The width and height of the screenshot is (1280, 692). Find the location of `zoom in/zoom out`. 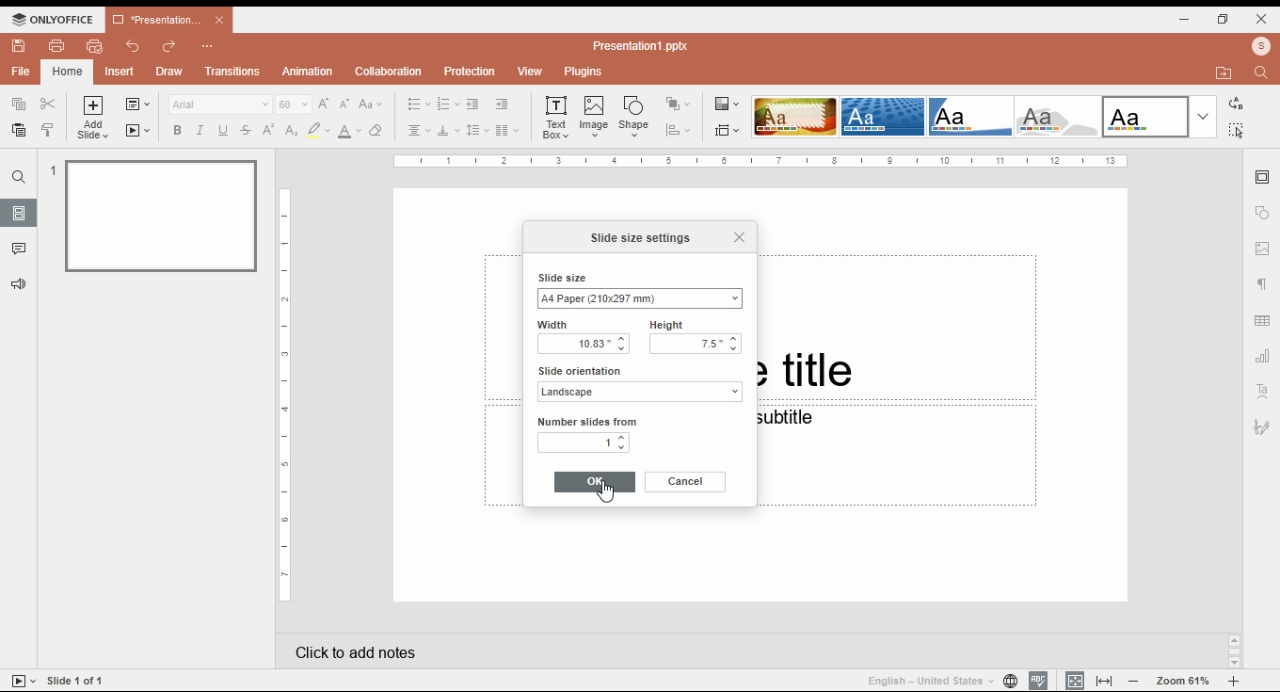

zoom in/zoom out is located at coordinates (1234, 681).